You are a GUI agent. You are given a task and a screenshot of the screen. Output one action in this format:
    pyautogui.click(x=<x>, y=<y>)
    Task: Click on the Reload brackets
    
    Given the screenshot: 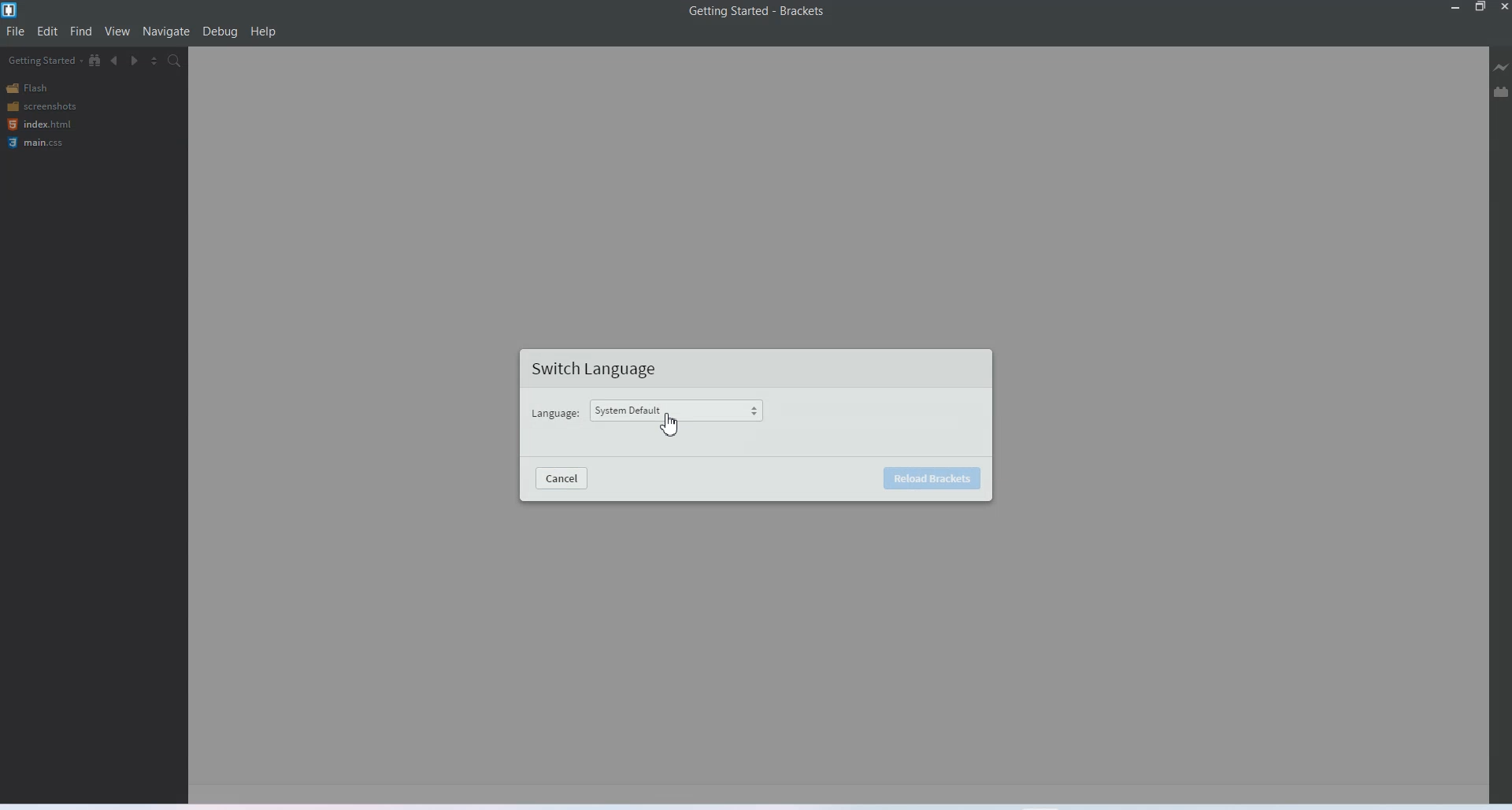 What is the action you would take?
    pyautogui.click(x=930, y=478)
    